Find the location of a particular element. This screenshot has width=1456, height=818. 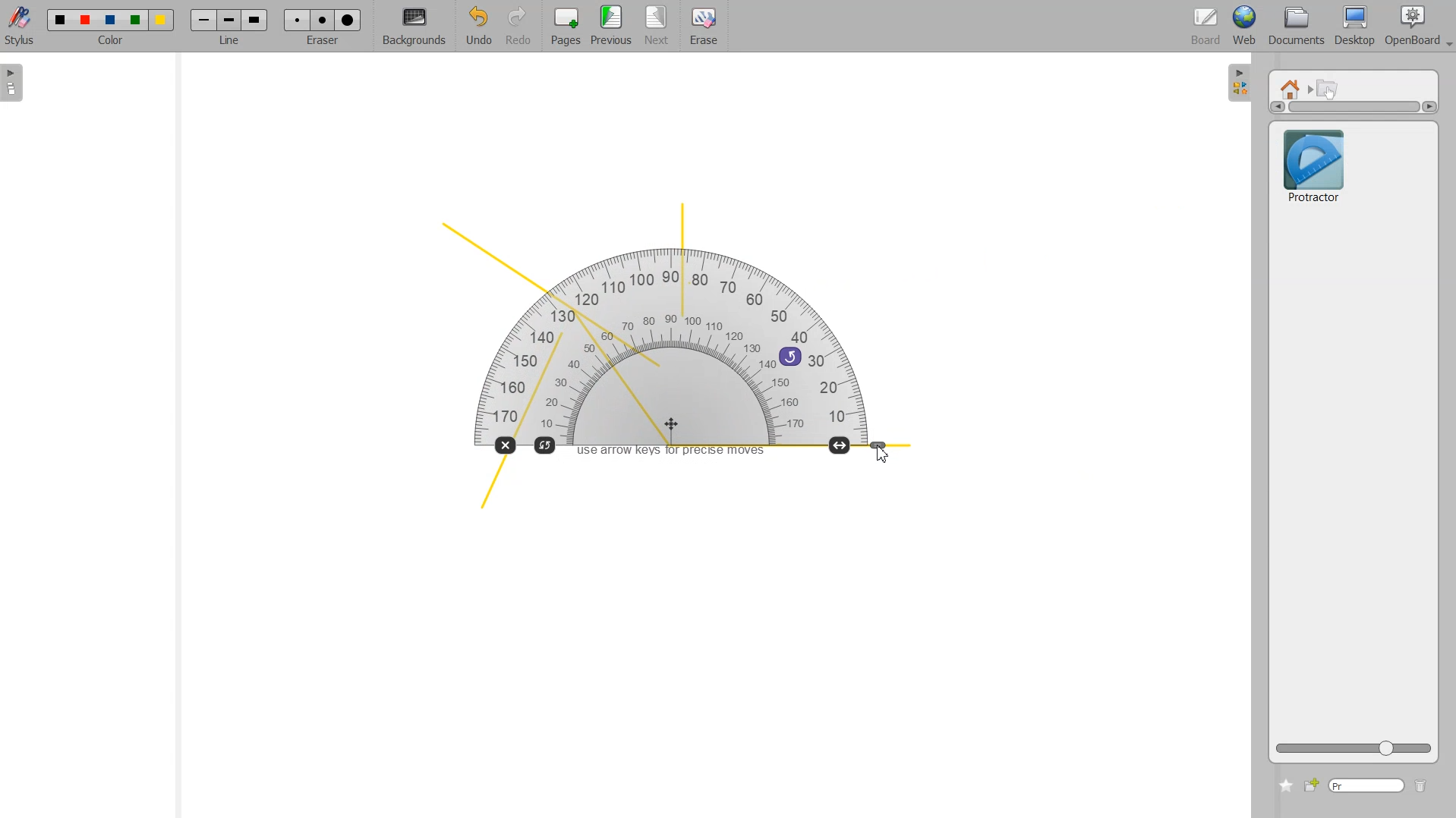

Erase is located at coordinates (703, 27).